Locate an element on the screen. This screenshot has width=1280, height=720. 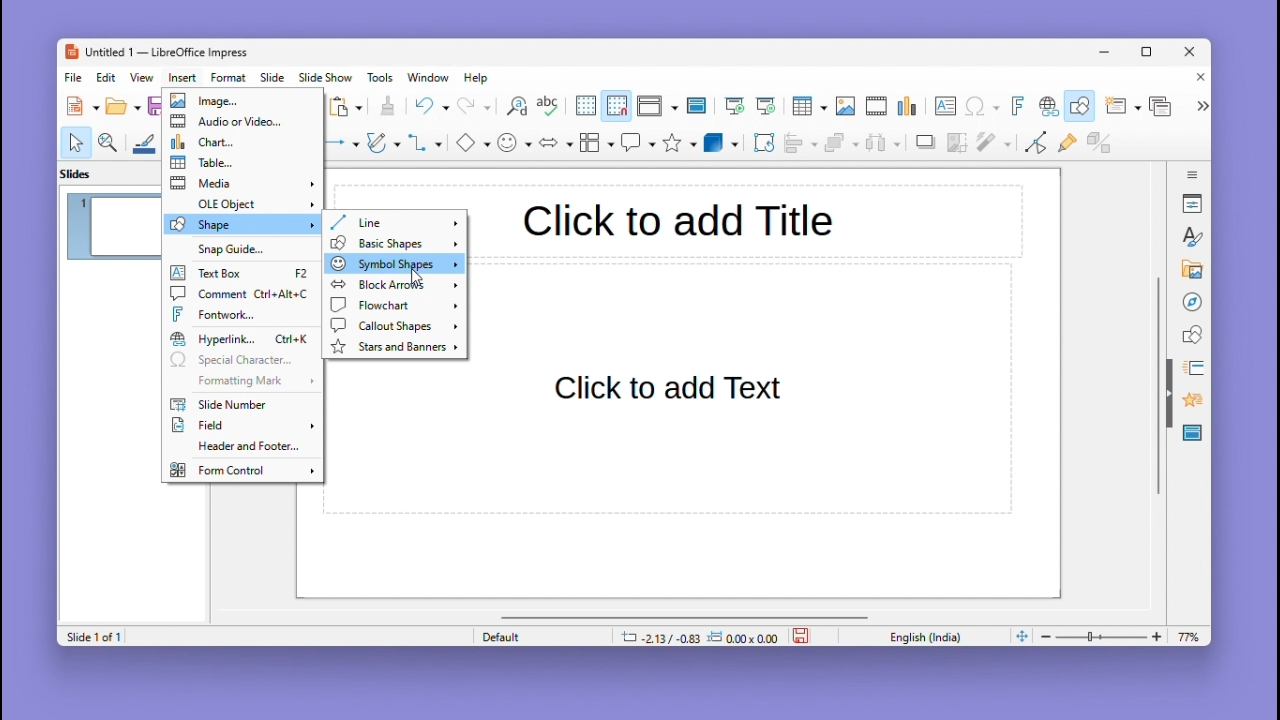
Flow chart is located at coordinates (393, 306).